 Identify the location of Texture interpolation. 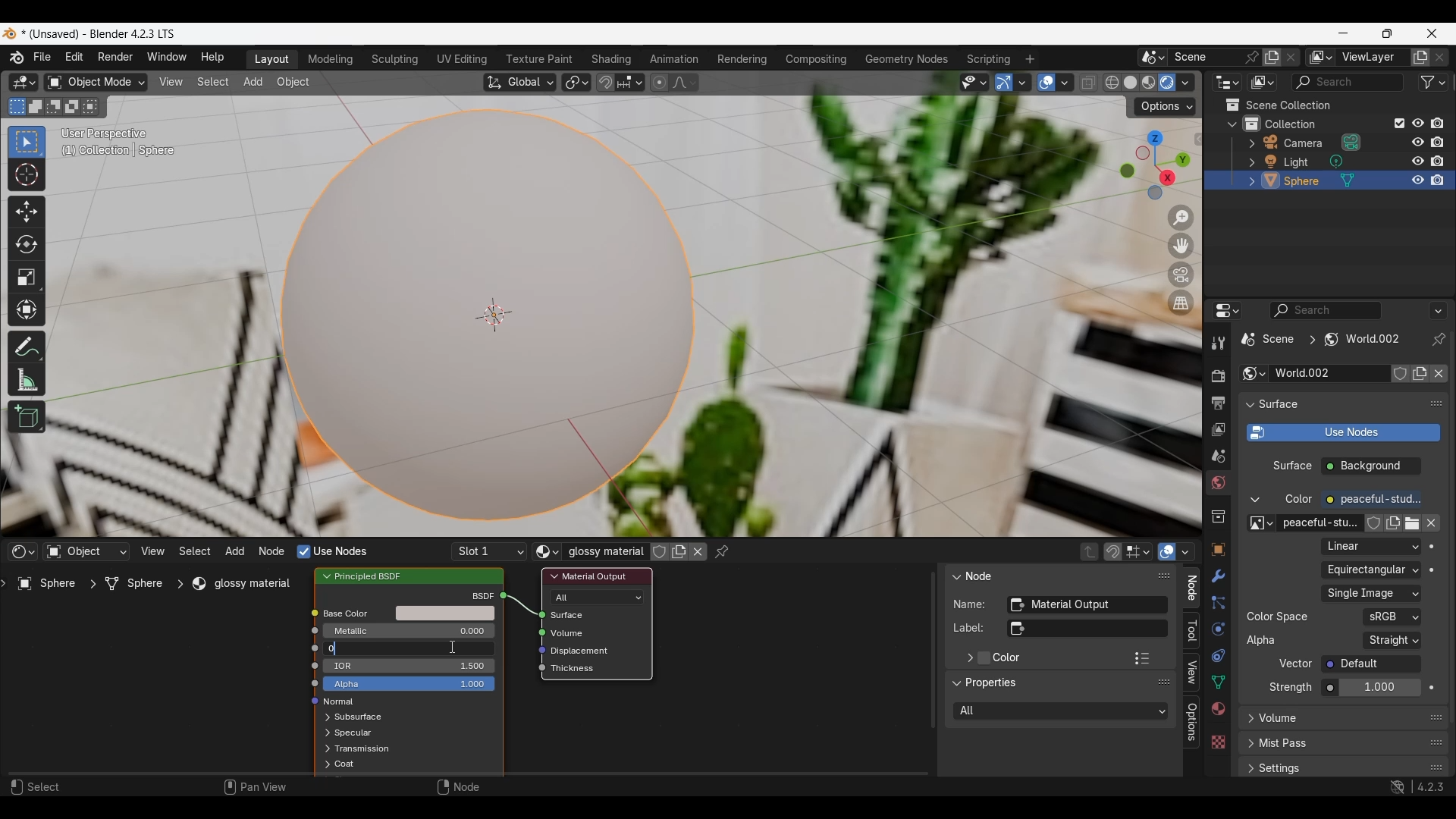
(1370, 546).